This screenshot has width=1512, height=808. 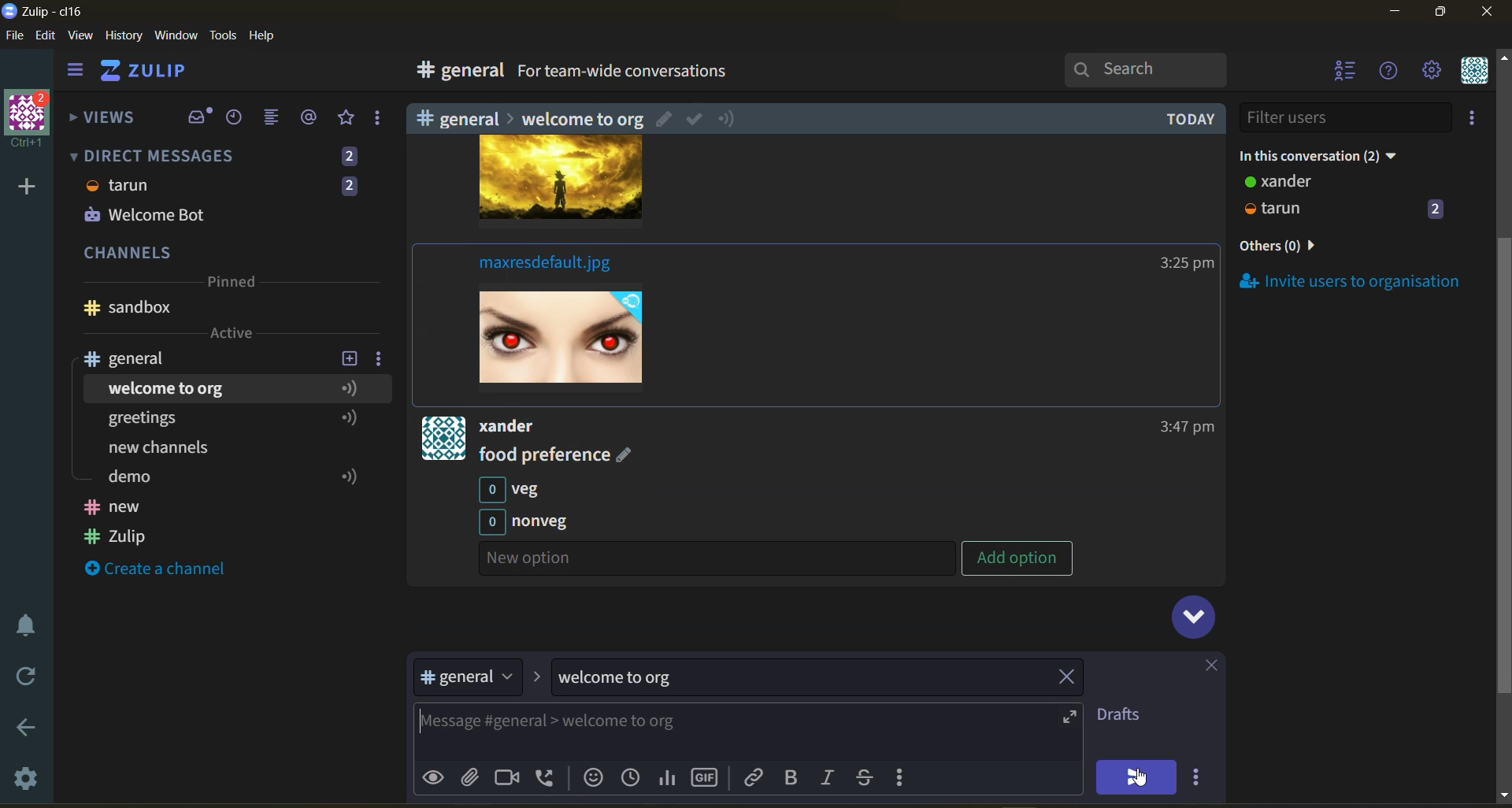 I want to click on send options, so click(x=1198, y=775).